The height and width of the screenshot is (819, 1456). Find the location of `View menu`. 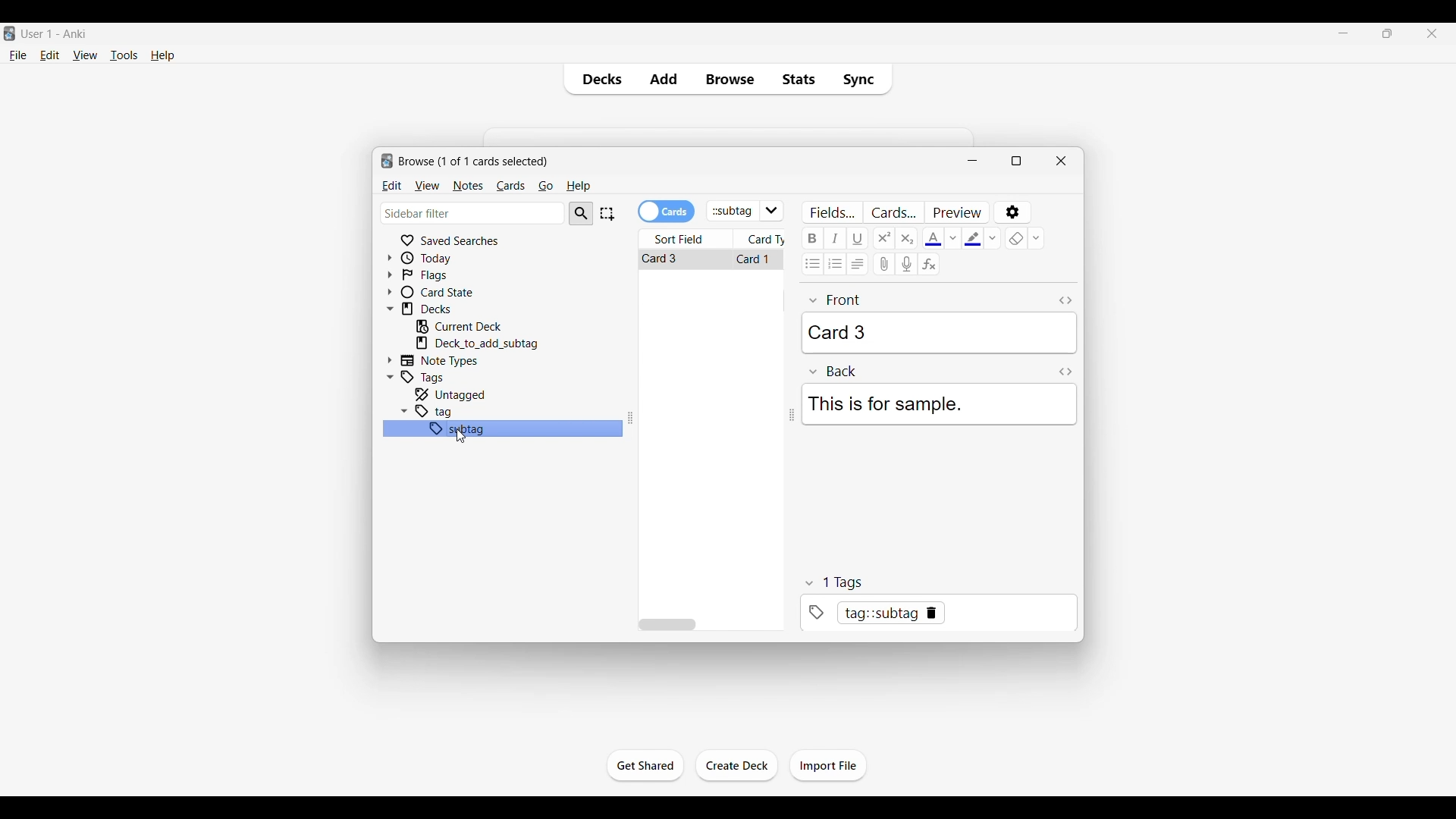

View menu is located at coordinates (427, 187).